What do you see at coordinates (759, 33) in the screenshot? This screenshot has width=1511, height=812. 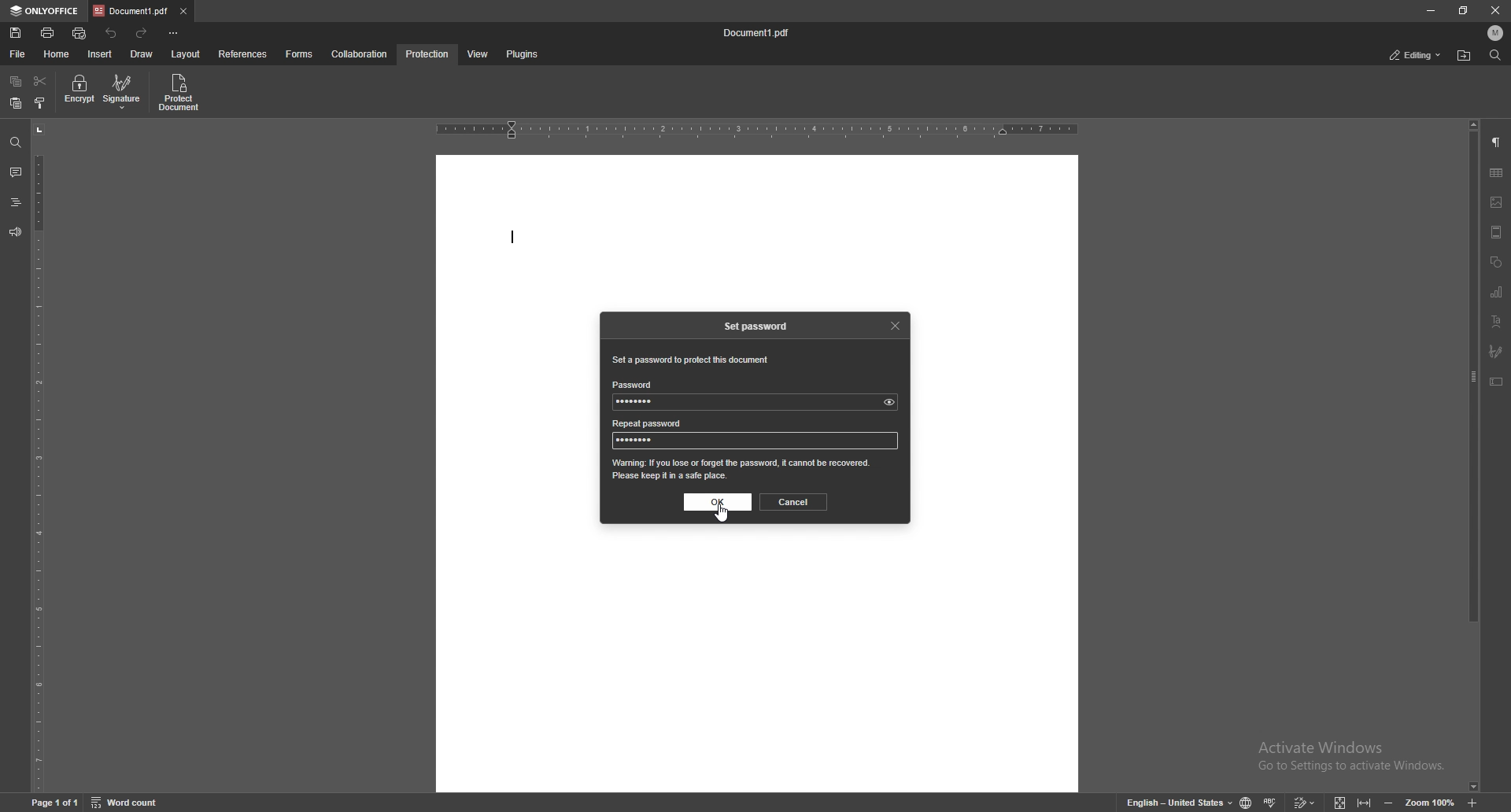 I see `file name` at bounding box center [759, 33].